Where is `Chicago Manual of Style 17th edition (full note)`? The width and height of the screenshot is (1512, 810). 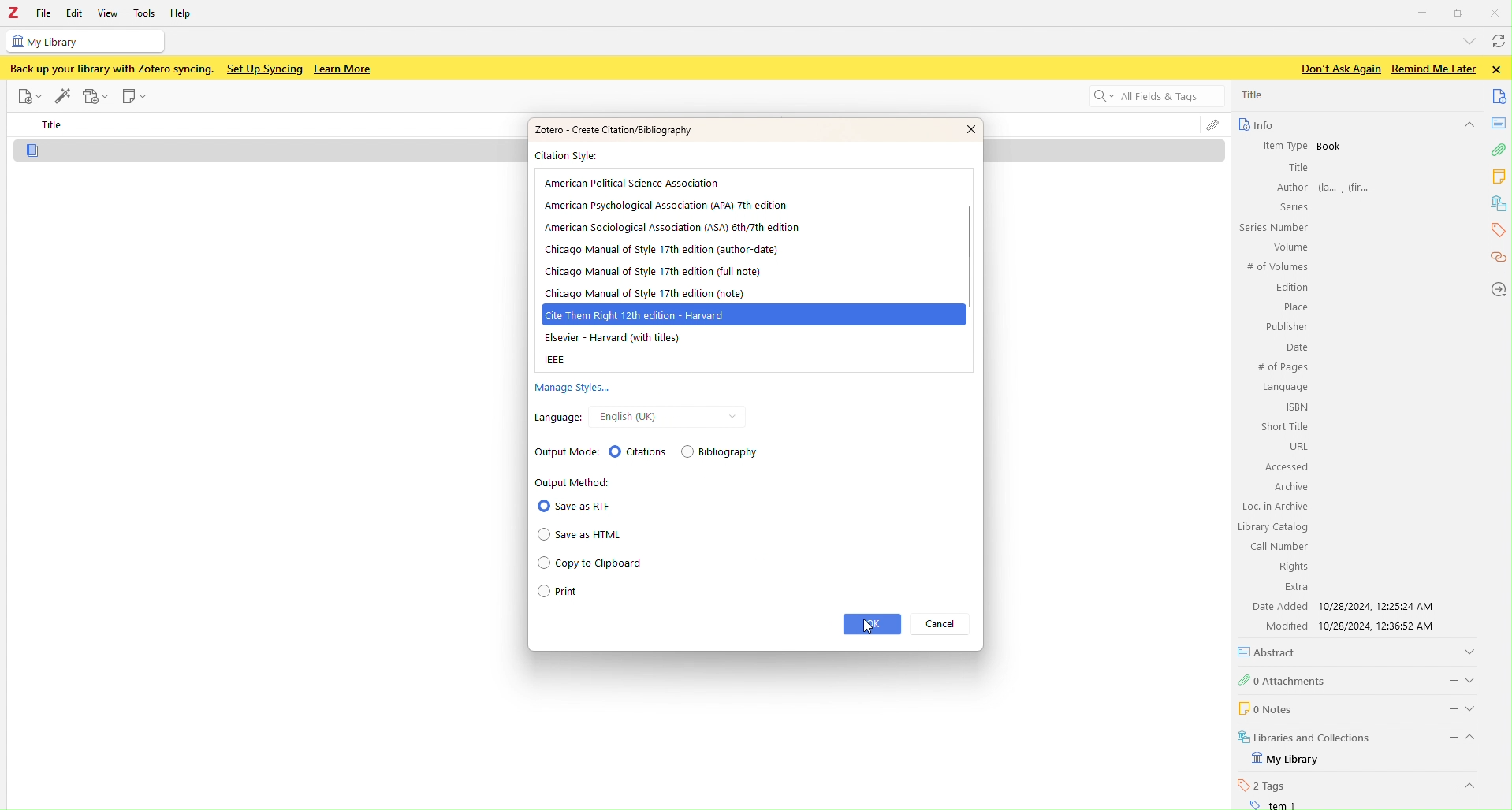
Chicago Manual of Style 17th edition (full note) is located at coordinates (654, 273).